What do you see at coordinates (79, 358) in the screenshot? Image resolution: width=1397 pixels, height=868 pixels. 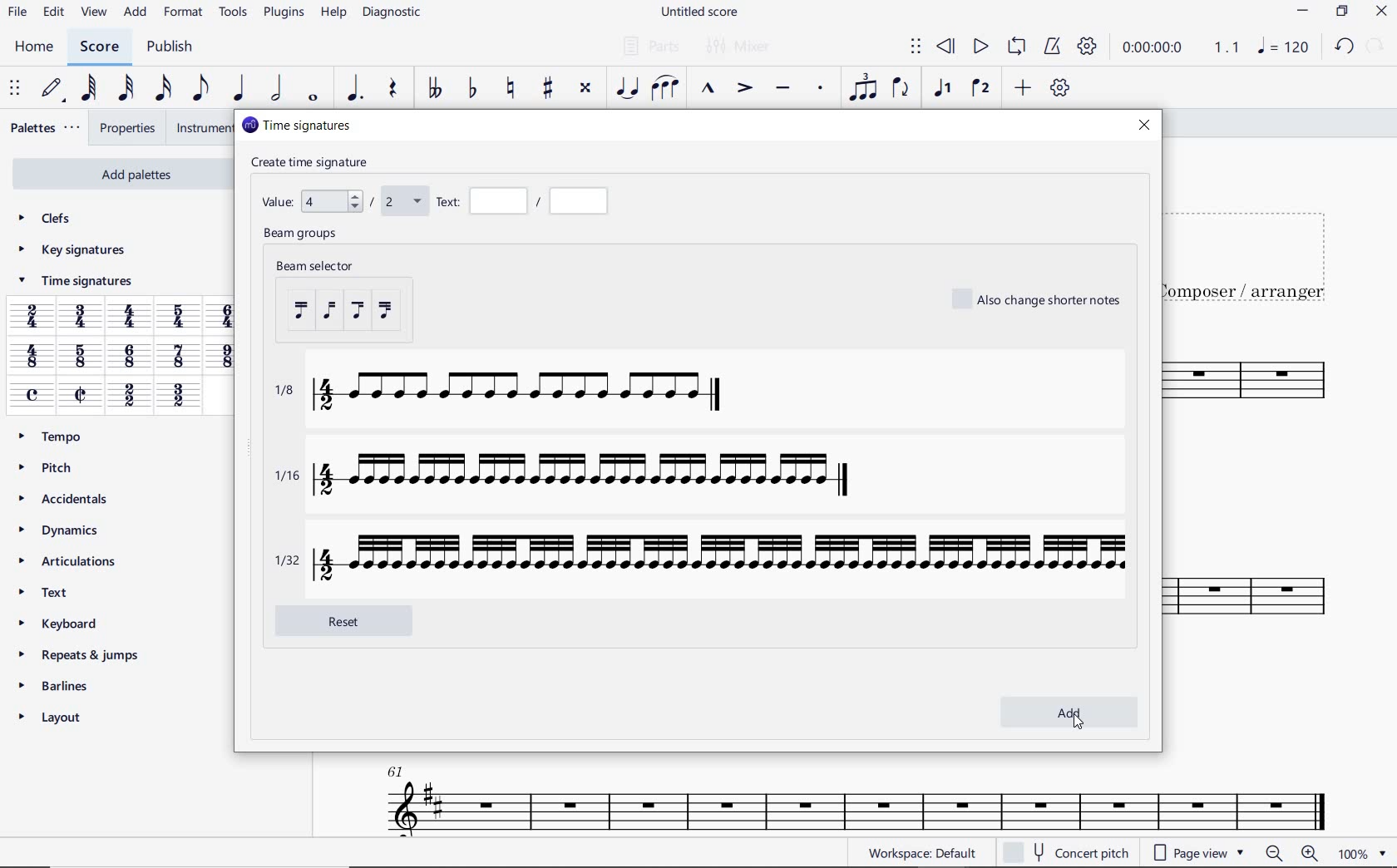 I see `5/8` at bounding box center [79, 358].